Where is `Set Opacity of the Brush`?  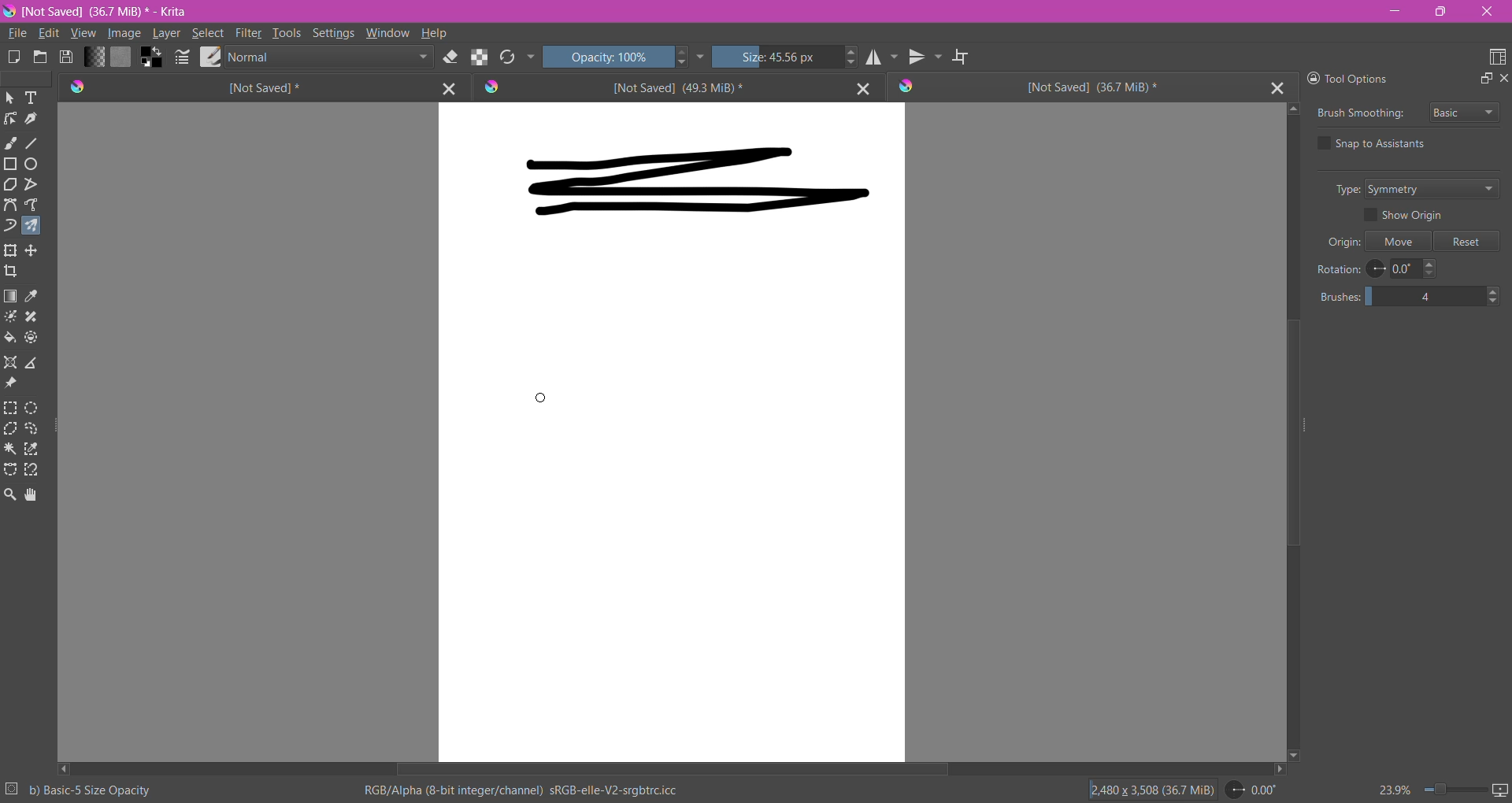
Set Opacity of the Brush is located at coordinates (606, 58).